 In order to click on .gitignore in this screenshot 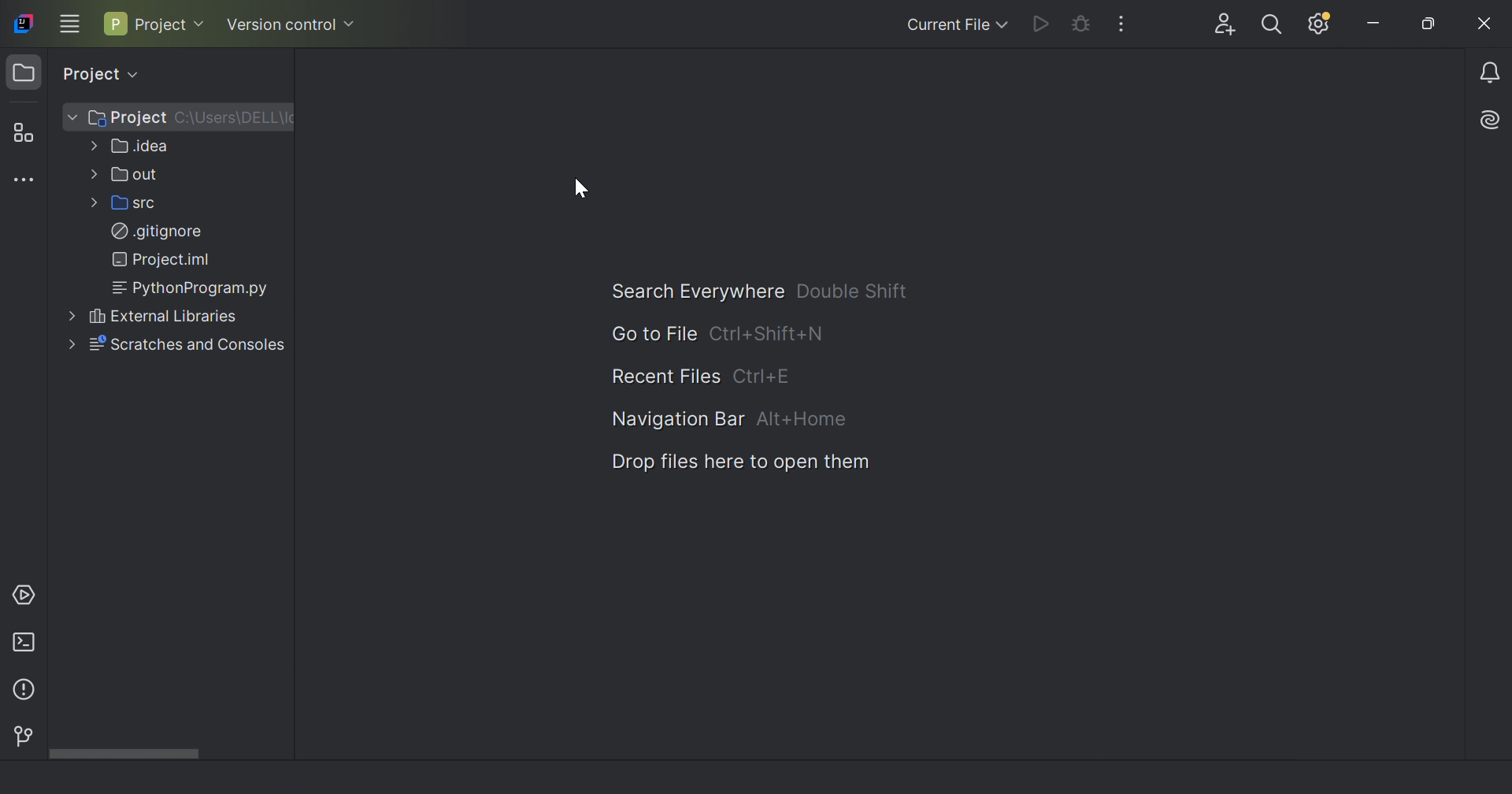, I will do `click(156, 231)`.